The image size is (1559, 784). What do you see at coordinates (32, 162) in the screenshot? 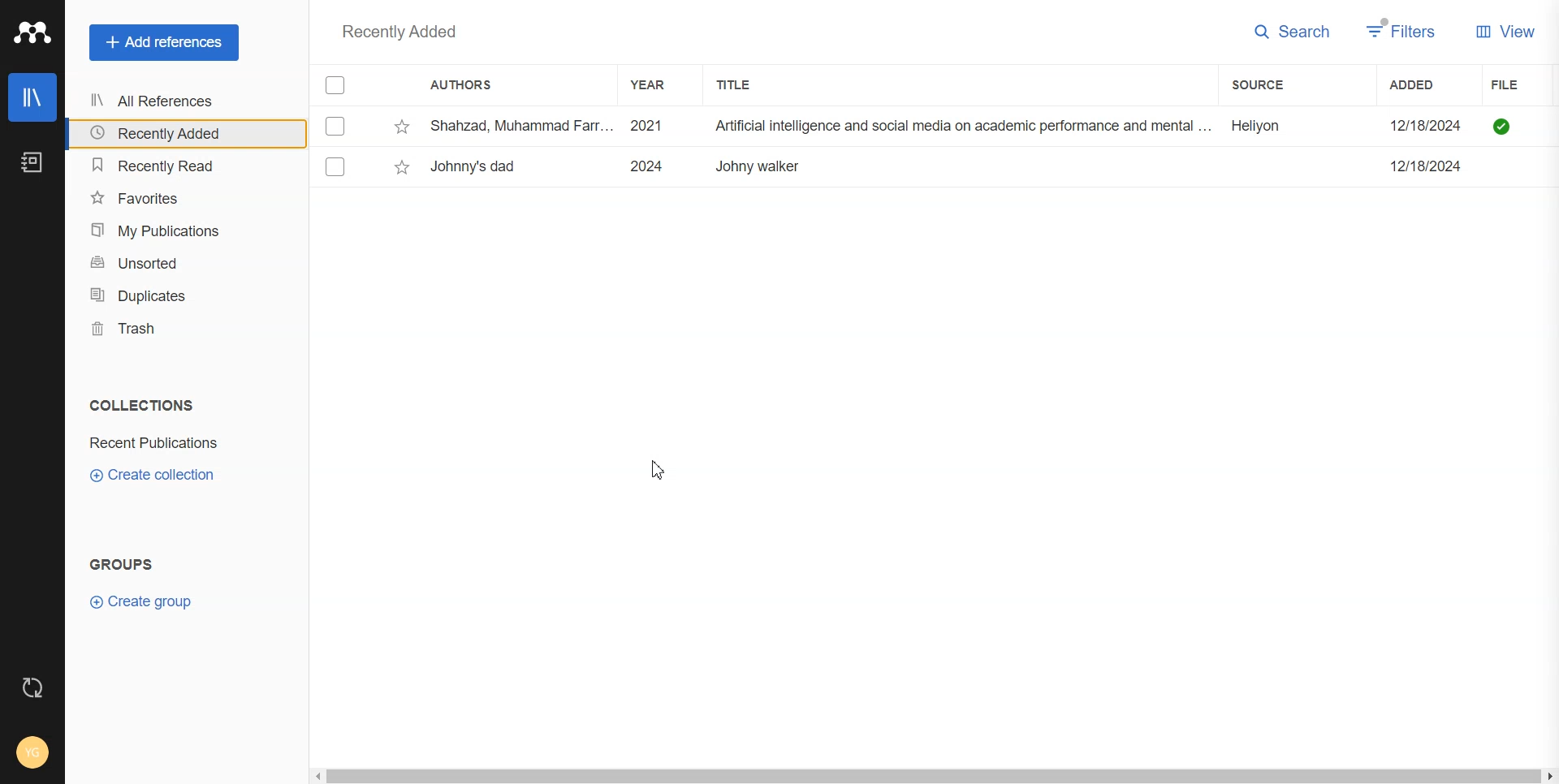
I see `Notebook` at bounding box center [32, 162].